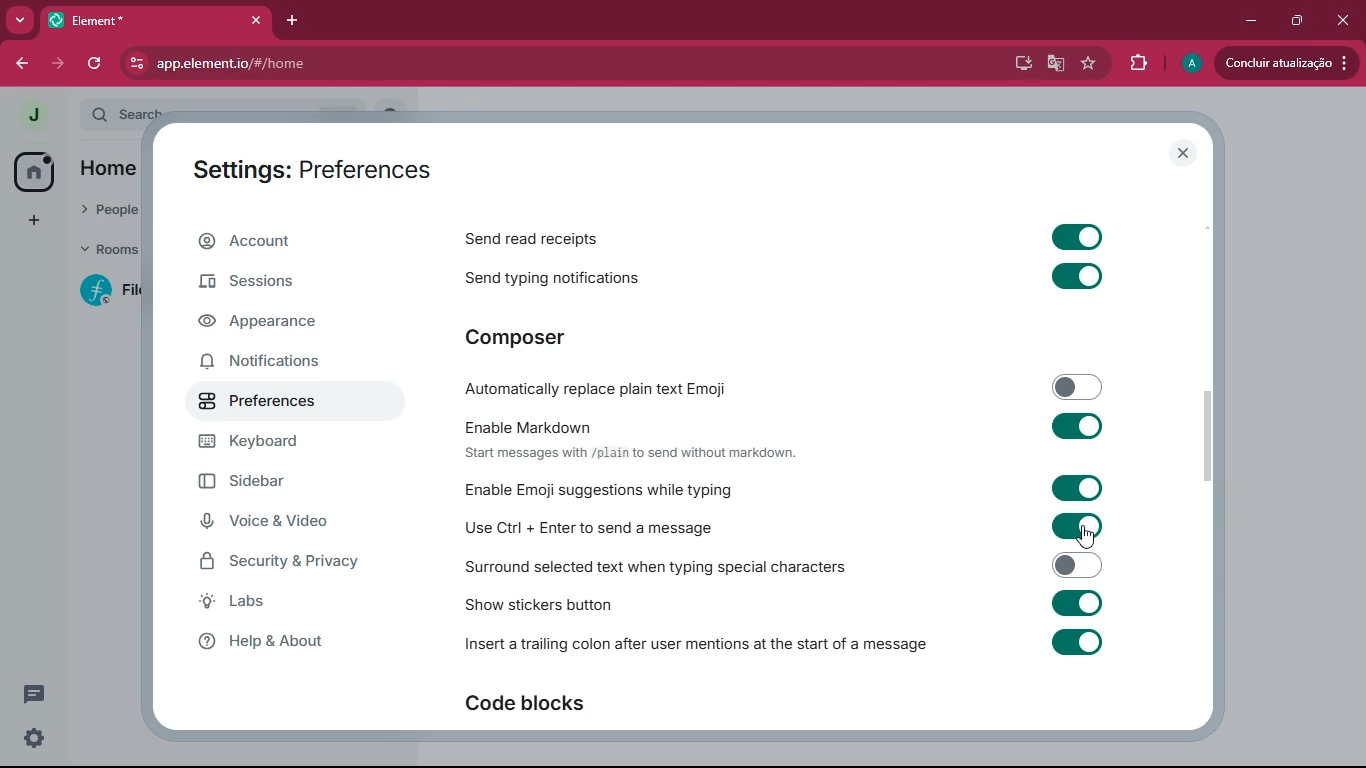 Image resolution: width=1366 pixels, height=768 pixels. What do you see at coordinates (290, 242) in the screenshot?
I see `account` at bounding box center [290, 242].